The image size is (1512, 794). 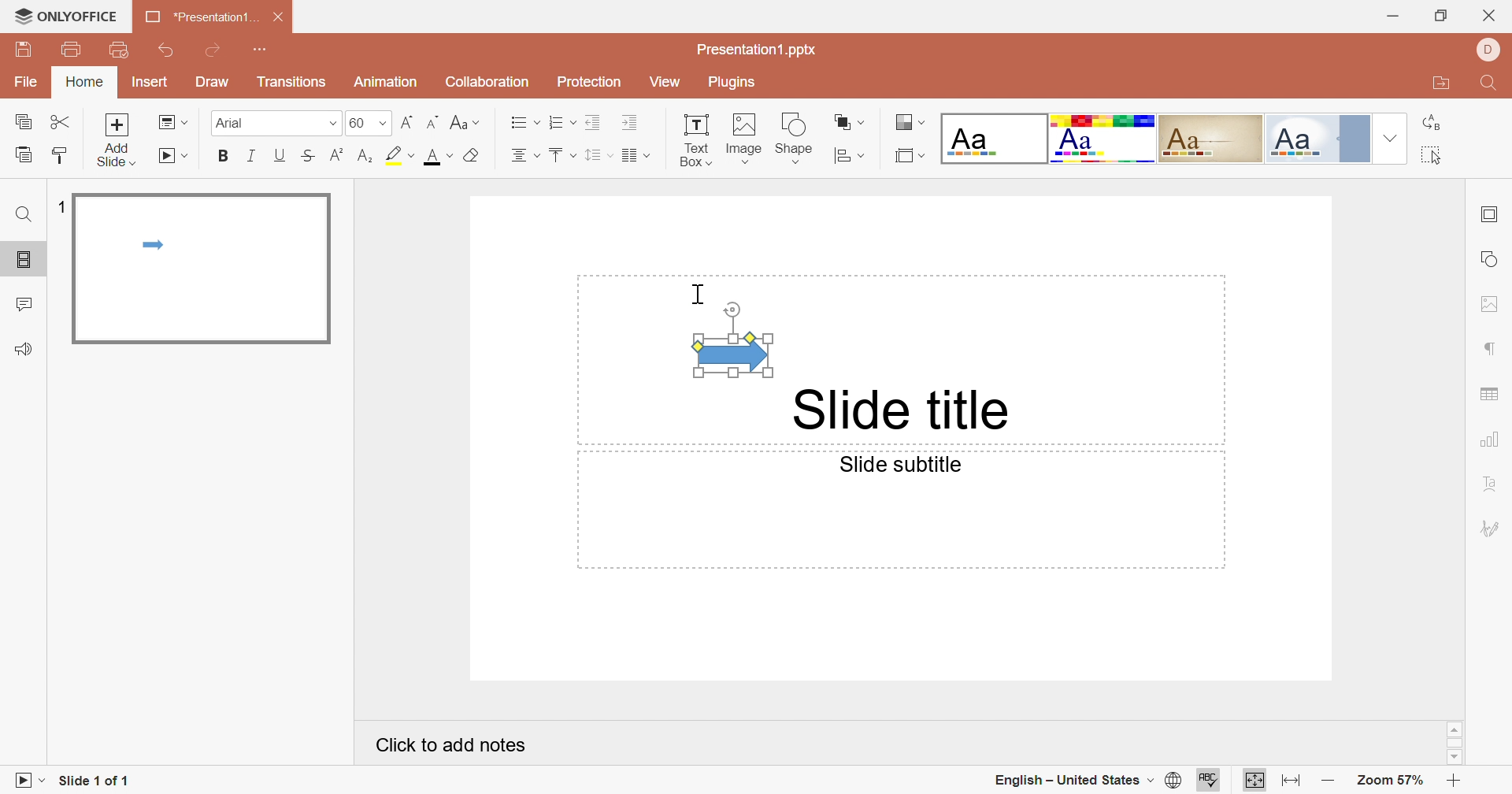 I want to click on Text box, so click(x=695, y=141).